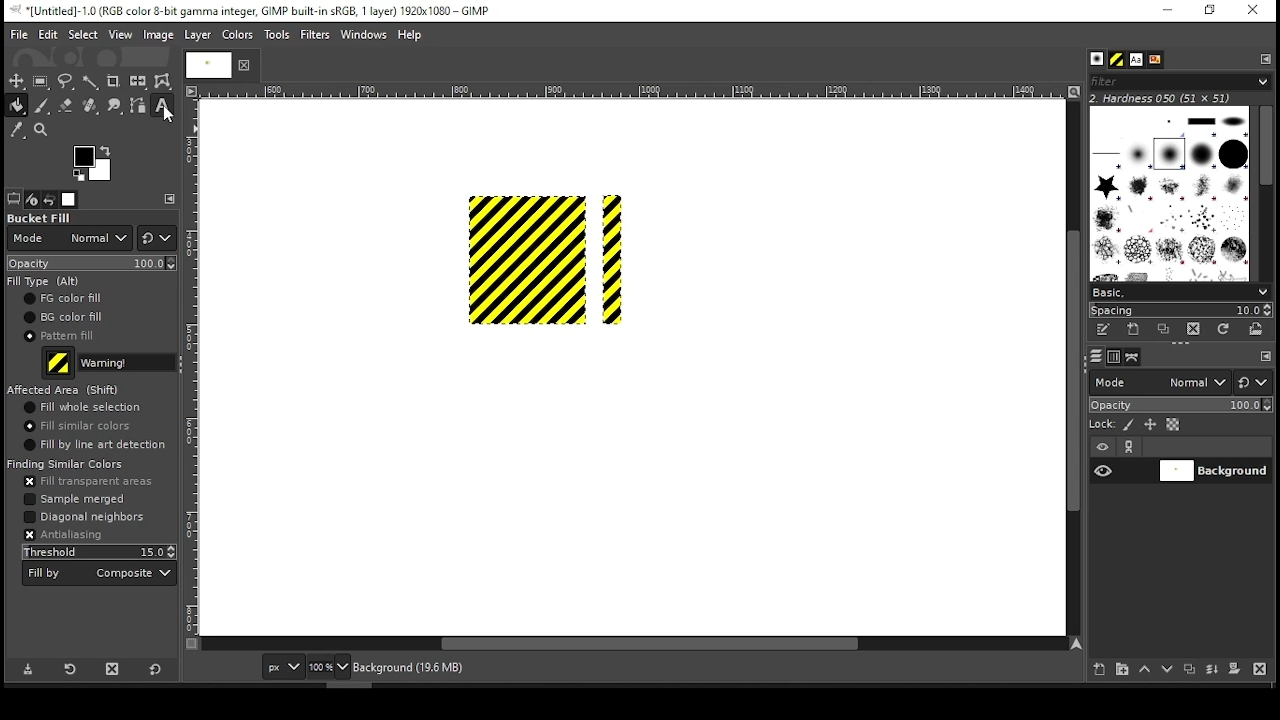 This screenshot has height=720, width=1280. I want to click on undo history, so click(51, 200).